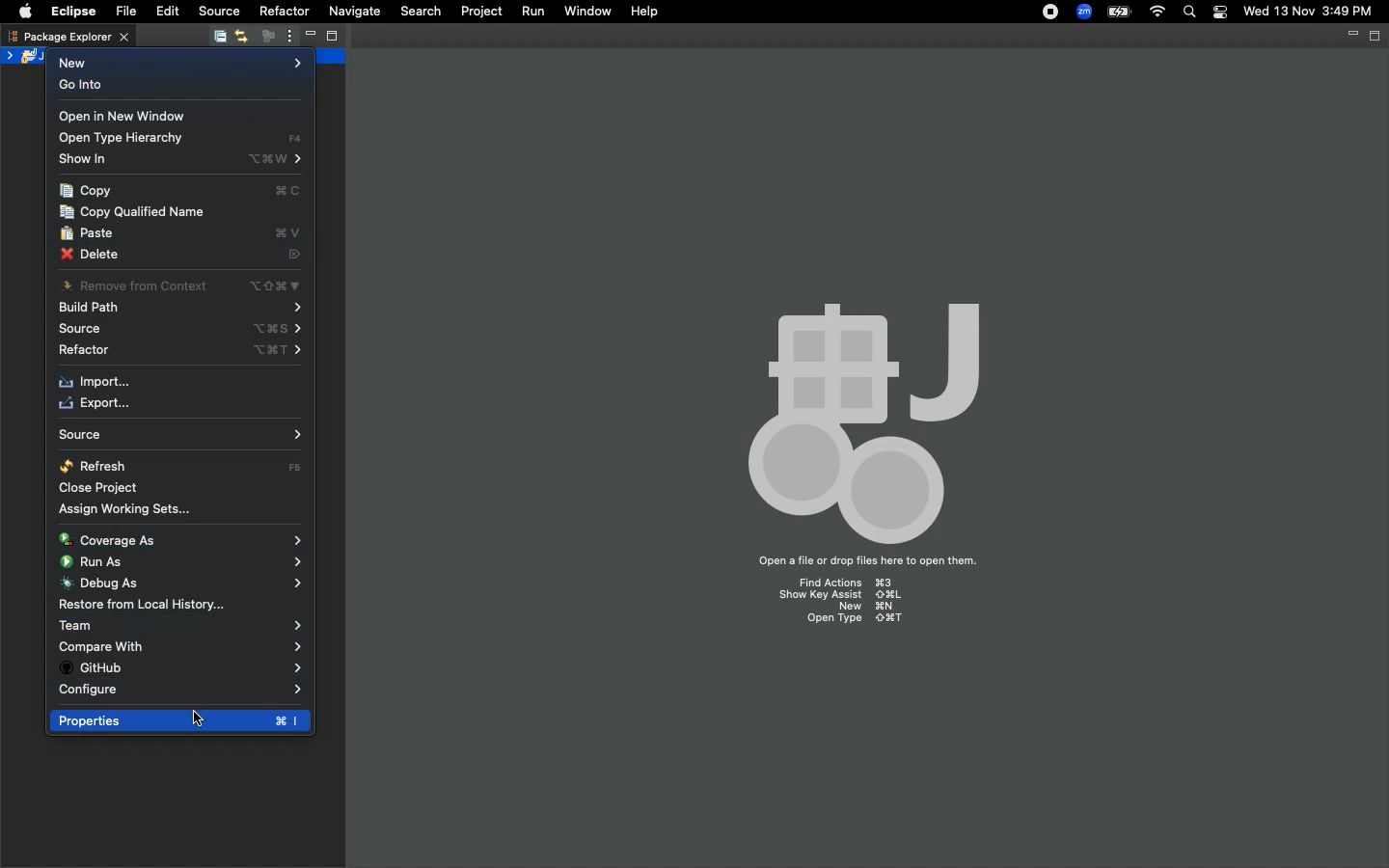  What do you see at coordinates (177, 63) in the screenshot?
I see `New` at bounding box center [177, 63].